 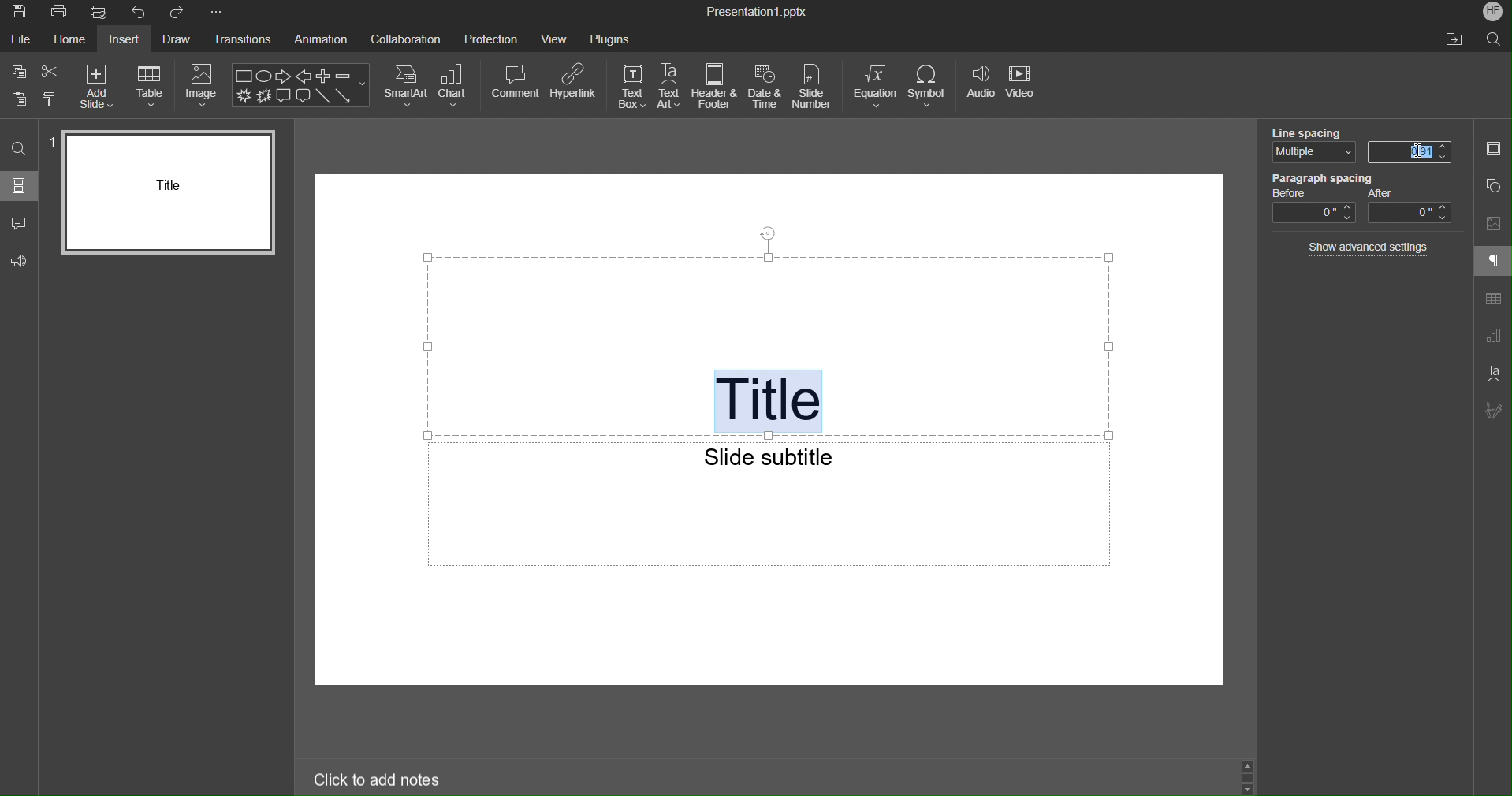 What do you see at coordinates (874, 87) in the screenshot?
I see `Equation` at bounding box center [874, 87].